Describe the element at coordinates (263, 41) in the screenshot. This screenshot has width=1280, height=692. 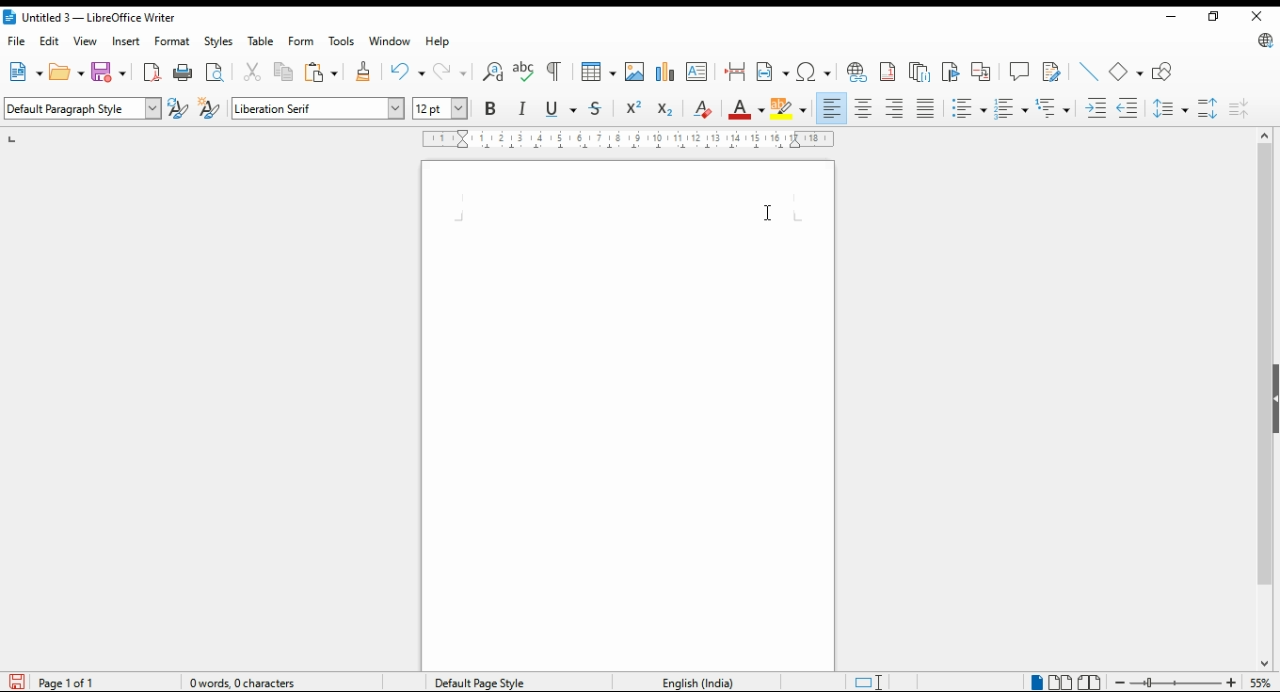
I see `table` at that location.